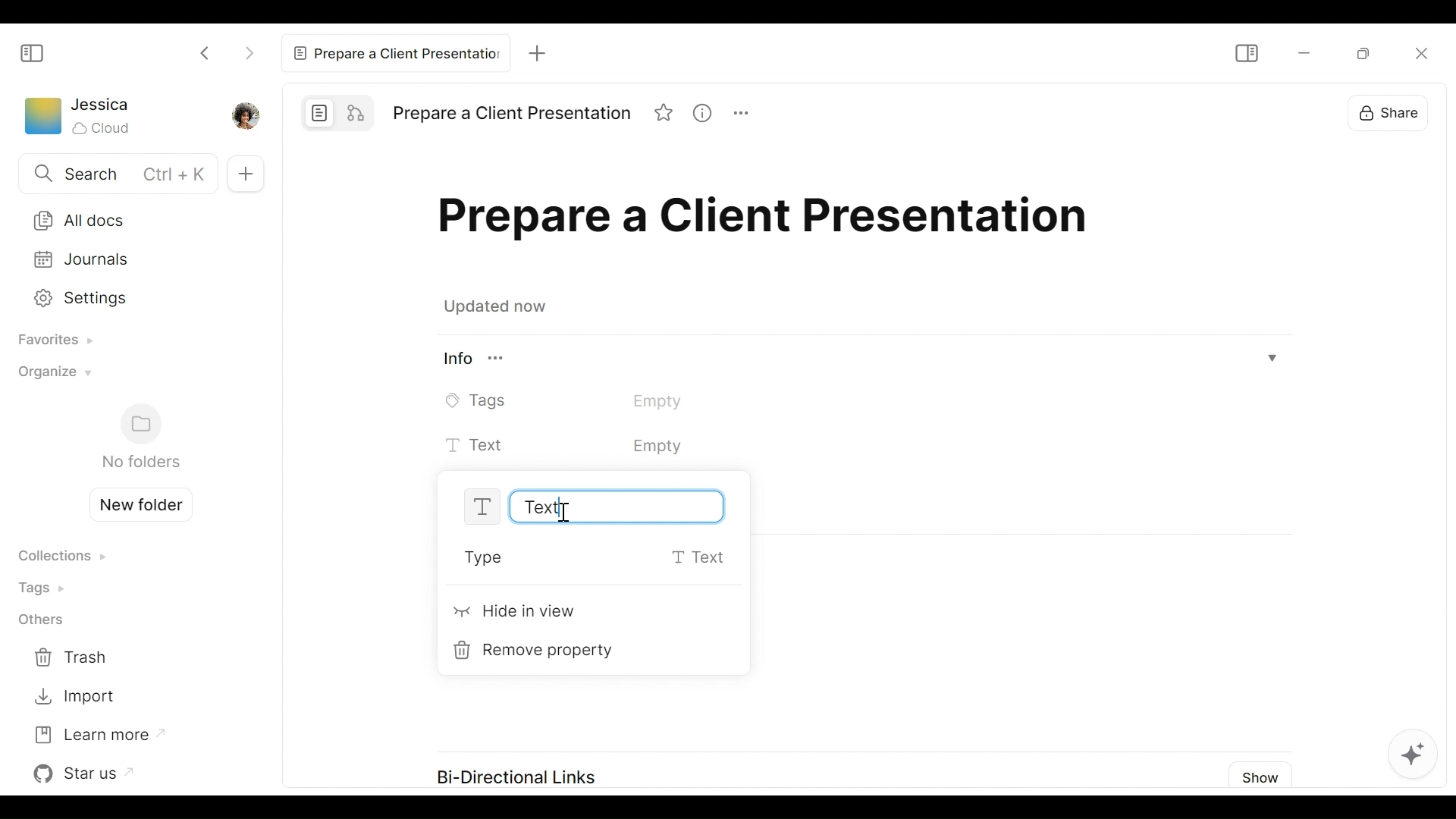 This screenshot has height=819, width=1456. I want to click on All Documents, so click(130, 219).